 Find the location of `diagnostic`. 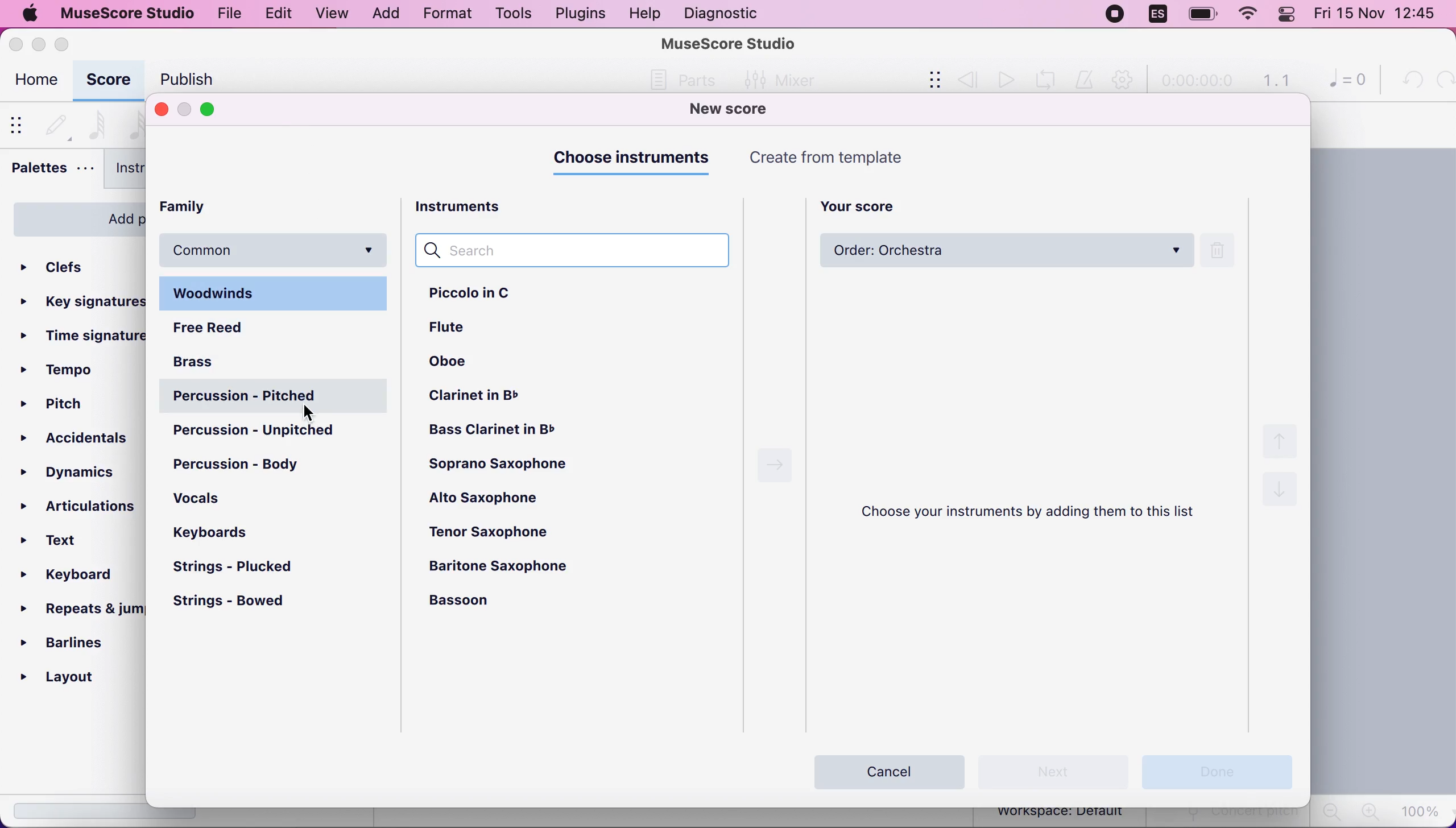

diagnostic is located at coordinates (725, 13).